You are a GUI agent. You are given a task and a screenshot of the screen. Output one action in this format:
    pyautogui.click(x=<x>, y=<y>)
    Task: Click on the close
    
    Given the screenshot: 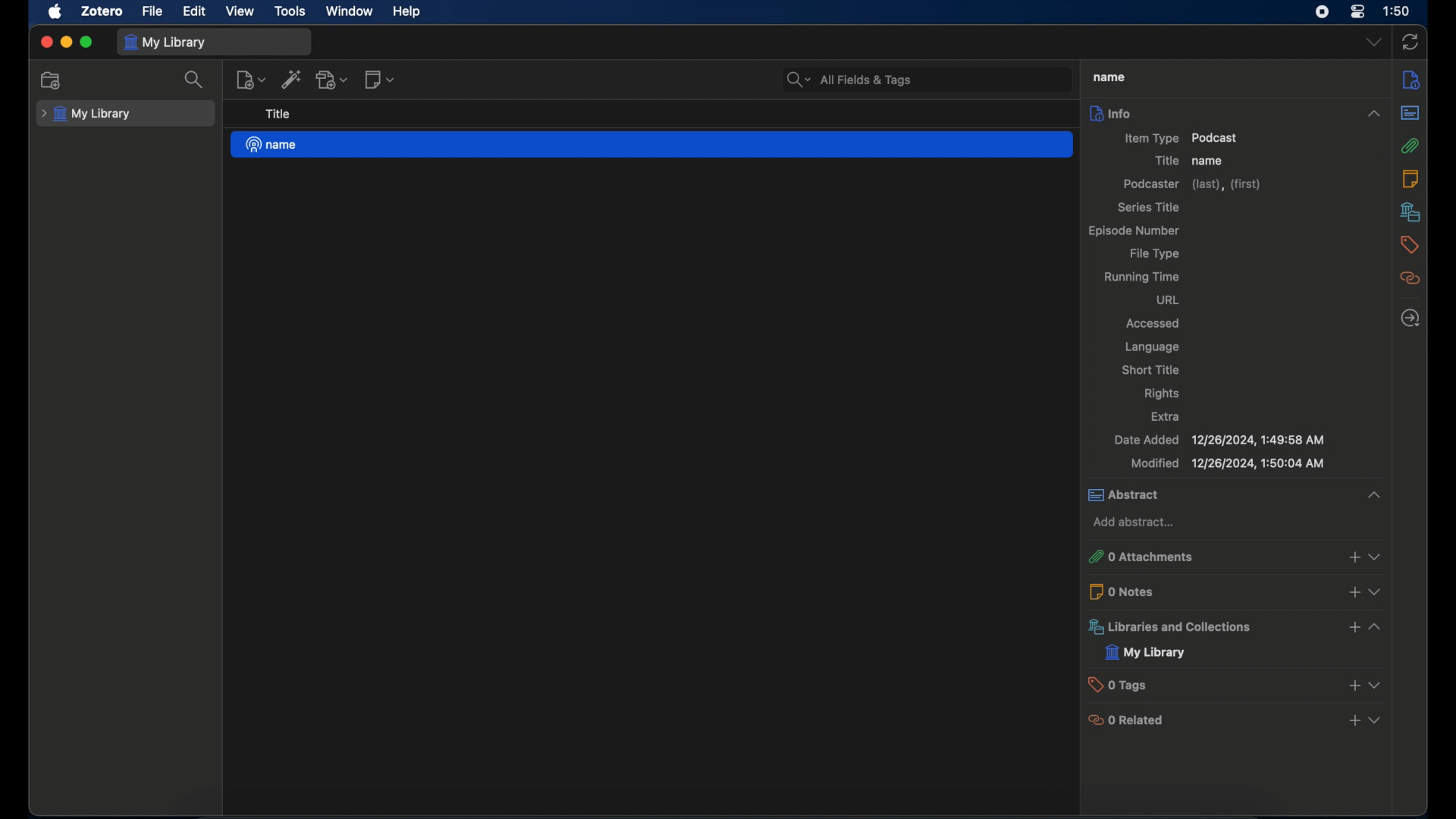 What is the action you would take?
    pyautogui.click(x=45, y=42)
    